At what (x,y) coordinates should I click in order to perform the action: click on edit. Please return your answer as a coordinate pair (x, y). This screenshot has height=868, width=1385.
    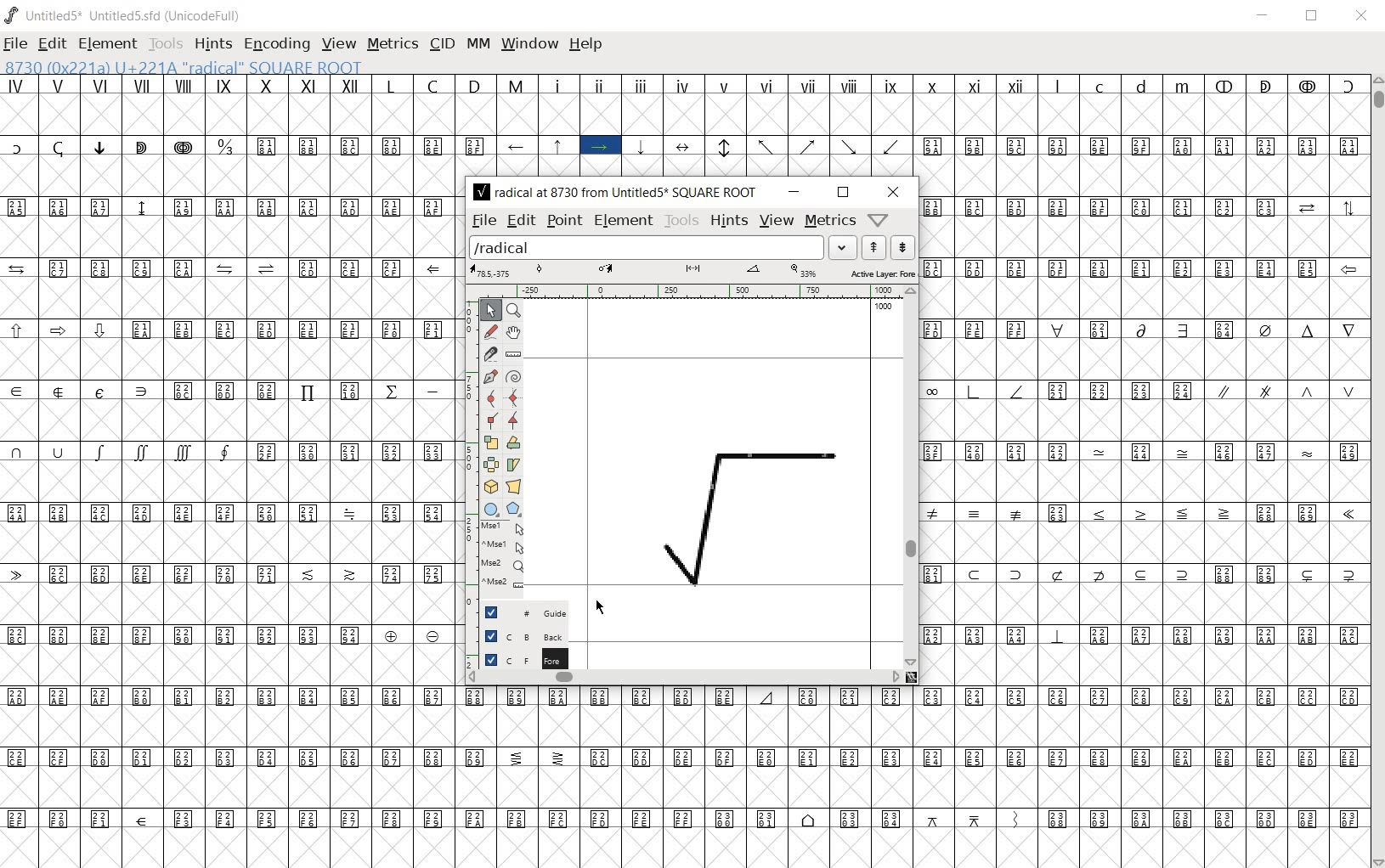
    Looking at the image, I should click on (520, 221).